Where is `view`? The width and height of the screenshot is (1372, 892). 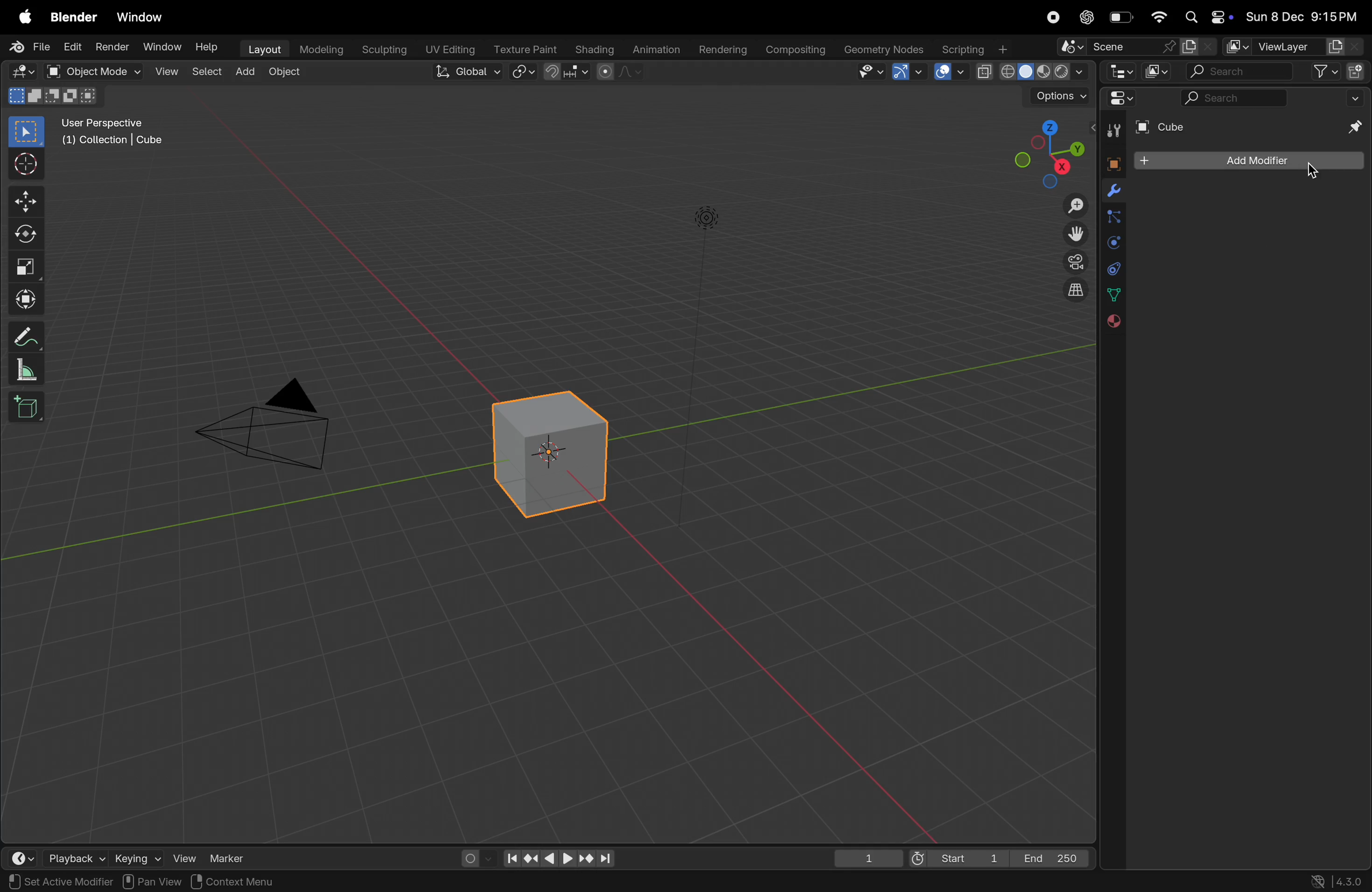
view is located at coordinates (167, 73).